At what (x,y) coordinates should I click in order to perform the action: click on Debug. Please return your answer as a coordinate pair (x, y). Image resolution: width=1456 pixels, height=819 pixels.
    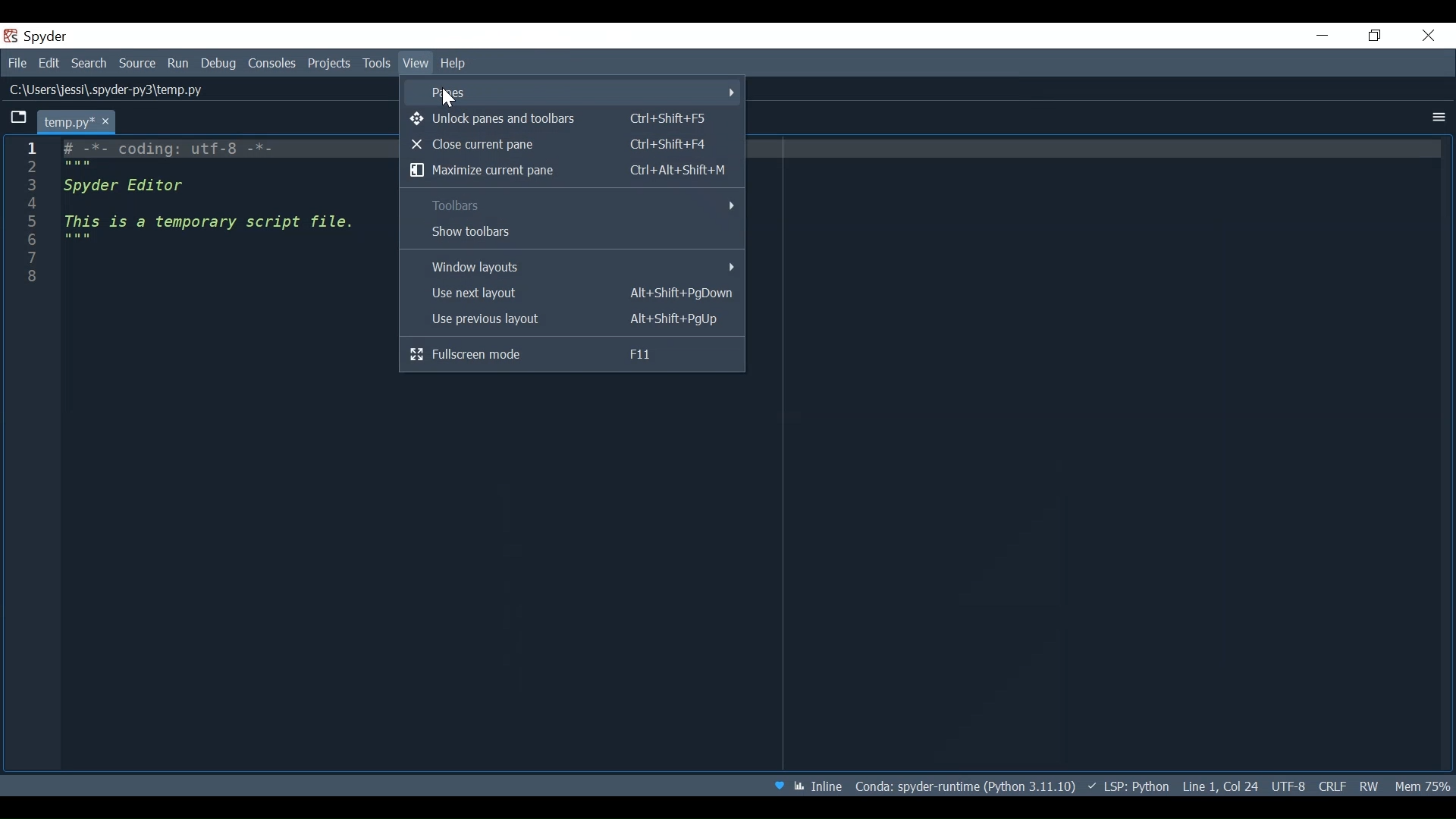
    Looking at the image, I should click on (218, 63).